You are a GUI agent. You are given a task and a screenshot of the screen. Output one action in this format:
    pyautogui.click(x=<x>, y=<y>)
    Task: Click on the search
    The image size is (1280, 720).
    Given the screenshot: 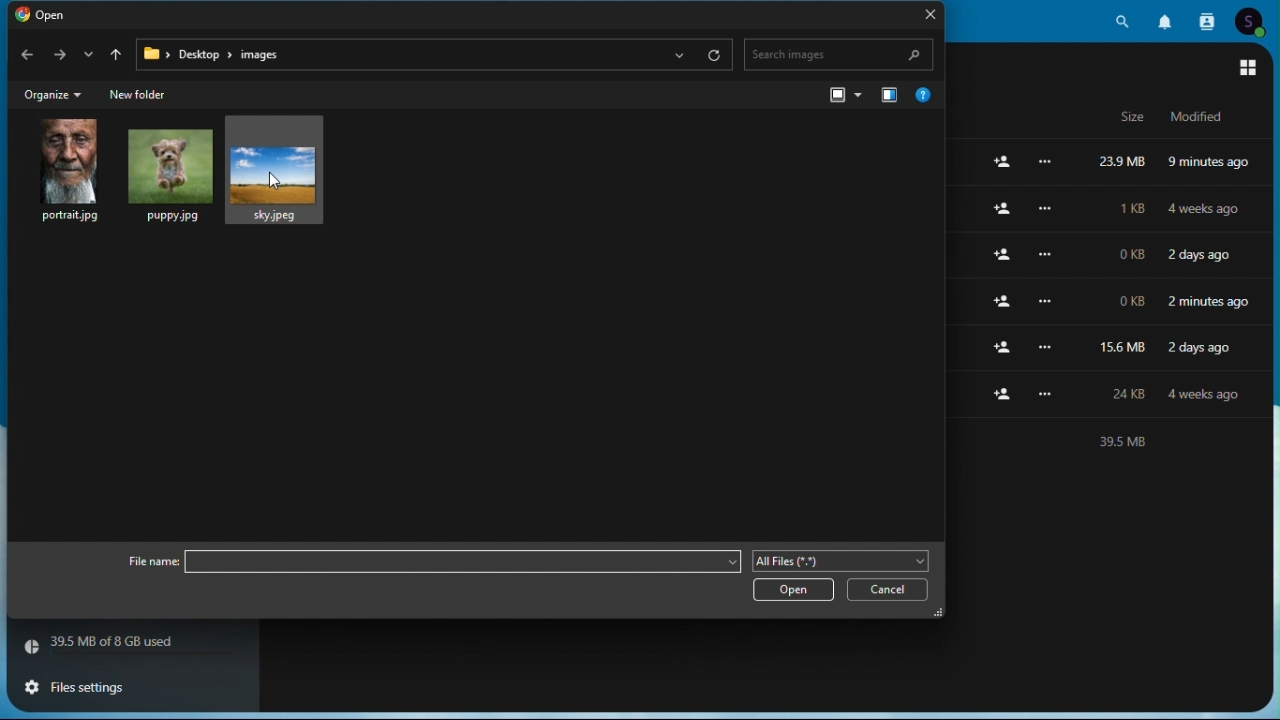 What is the action you would take?
    pyautogui.click(x=1123, y=19)
    